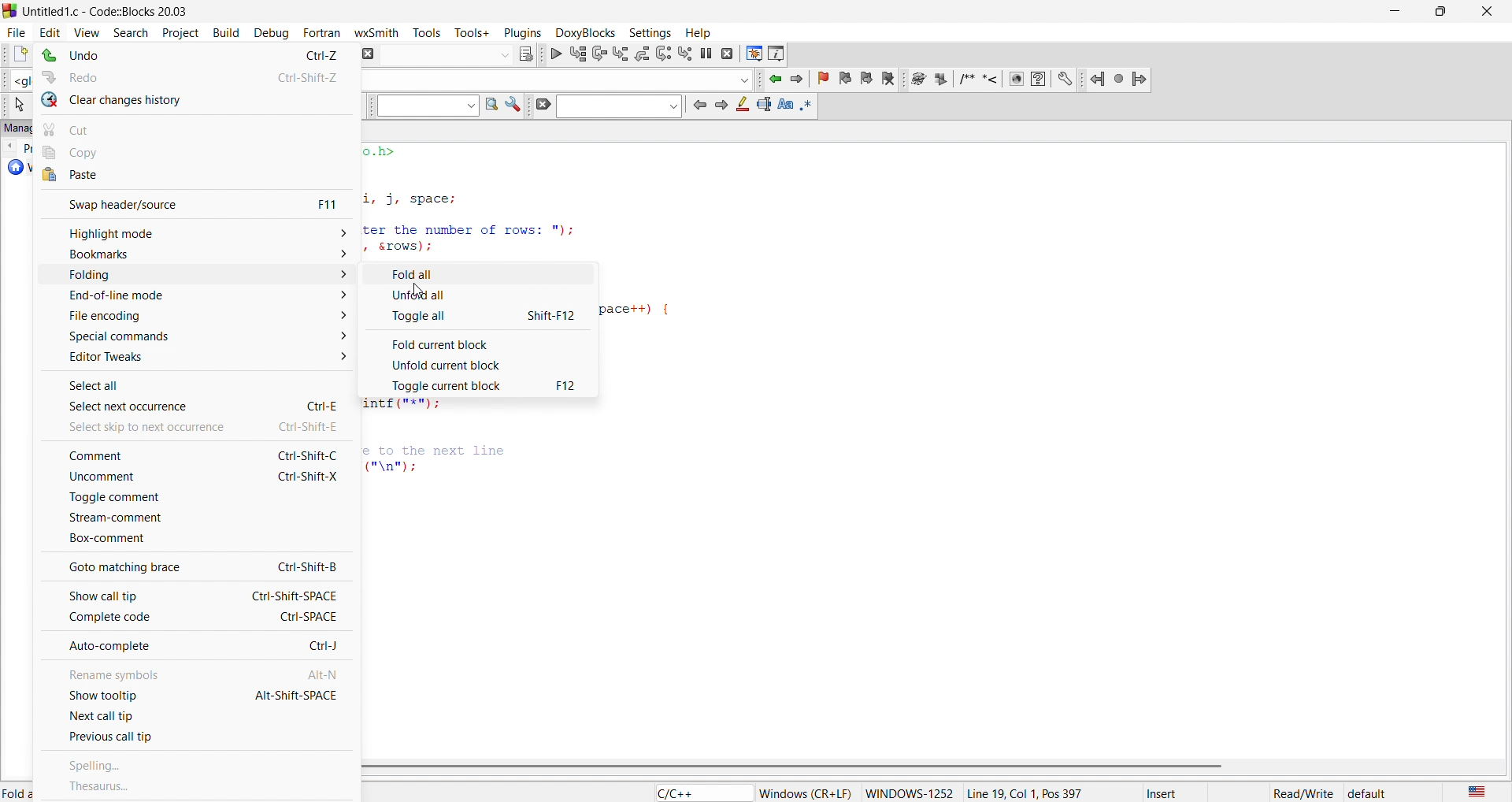 The image size is (1512, 802). What do you see at coordinates (686, 53) in the screenshot?
I see `step into instructions` at bounding box center [686, 53].